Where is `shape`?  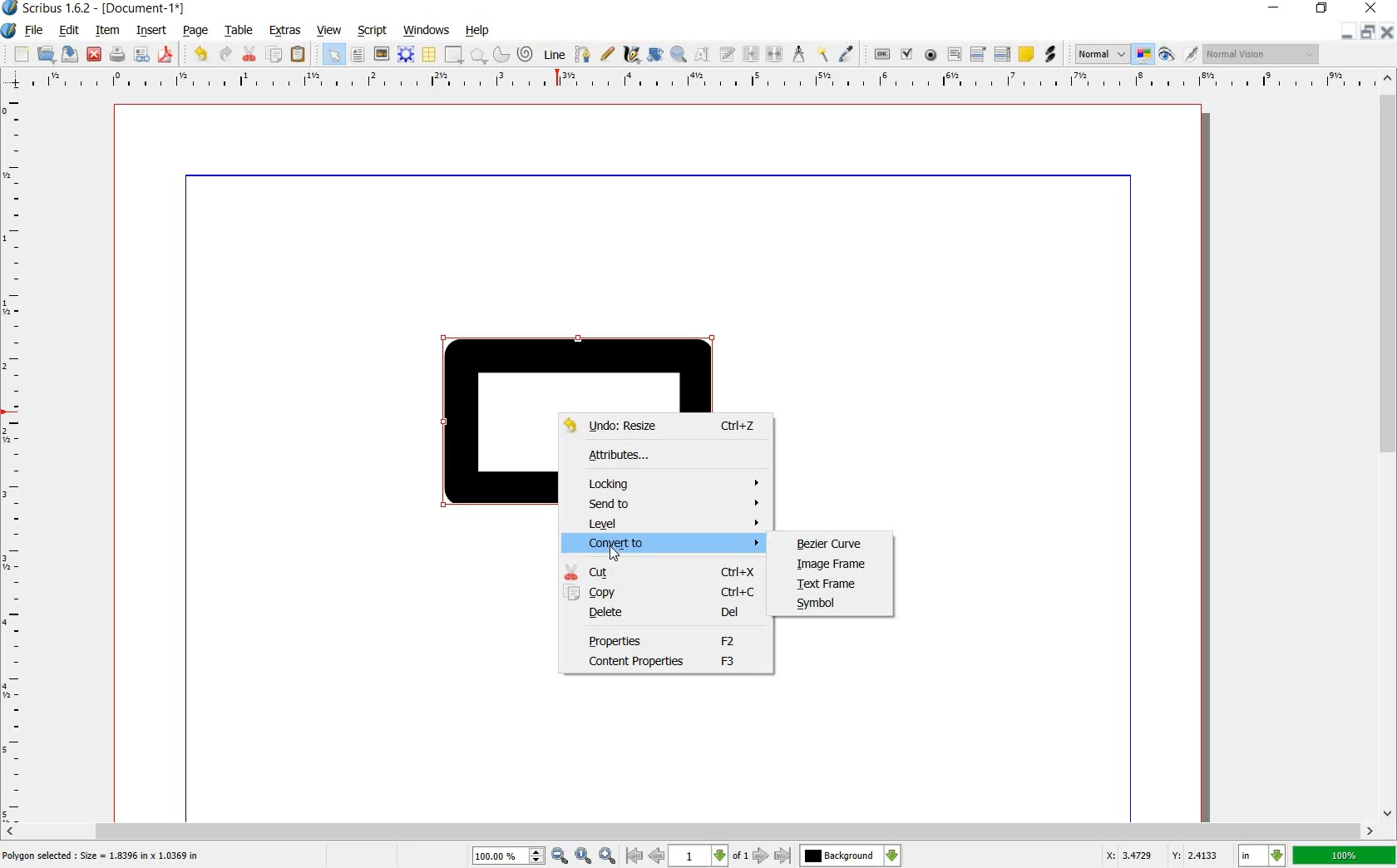 shape is located at coordinates (452, 55).